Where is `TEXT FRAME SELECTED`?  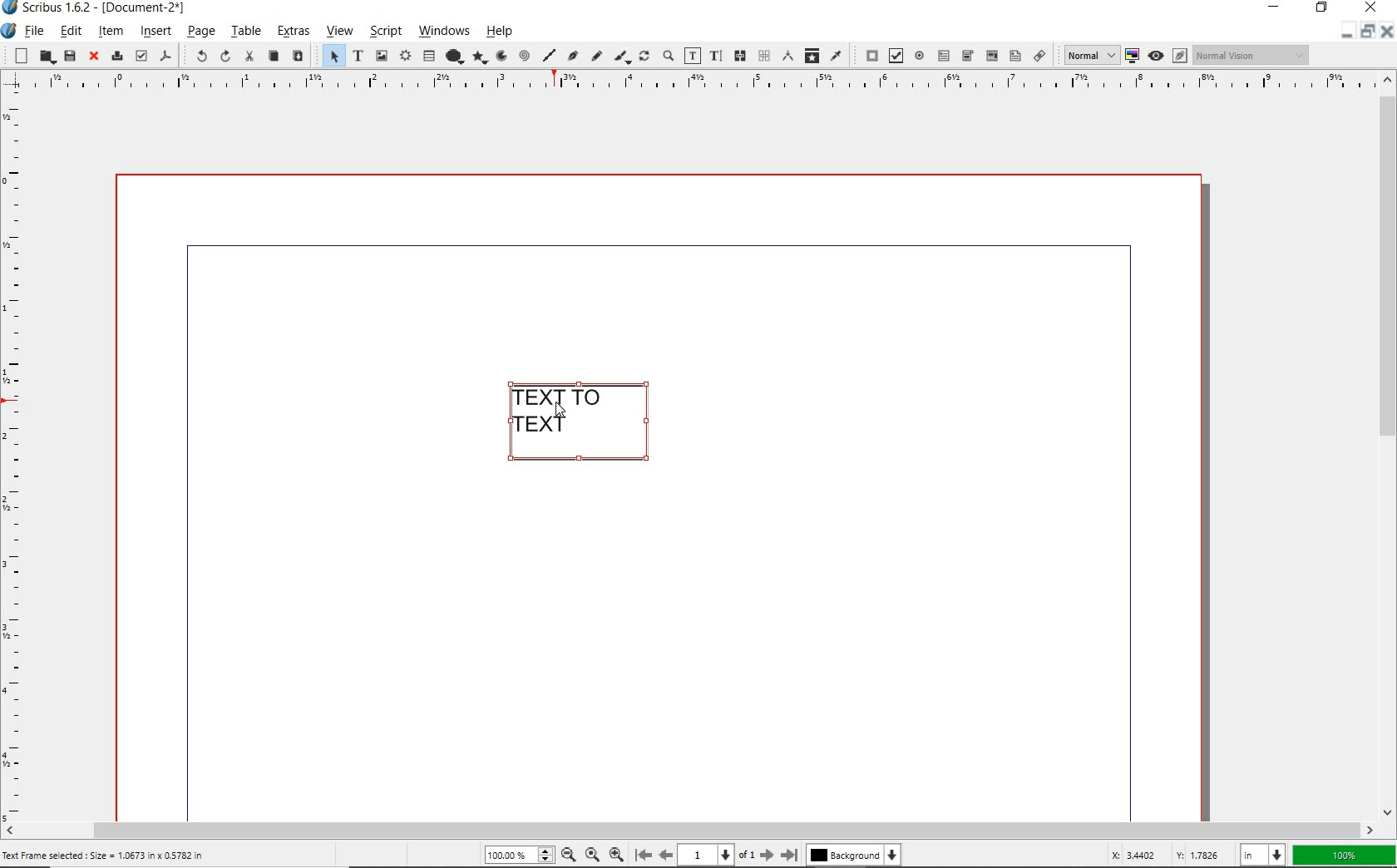 TEXT FRAME SELECTED is located at coordinates (580, 424).